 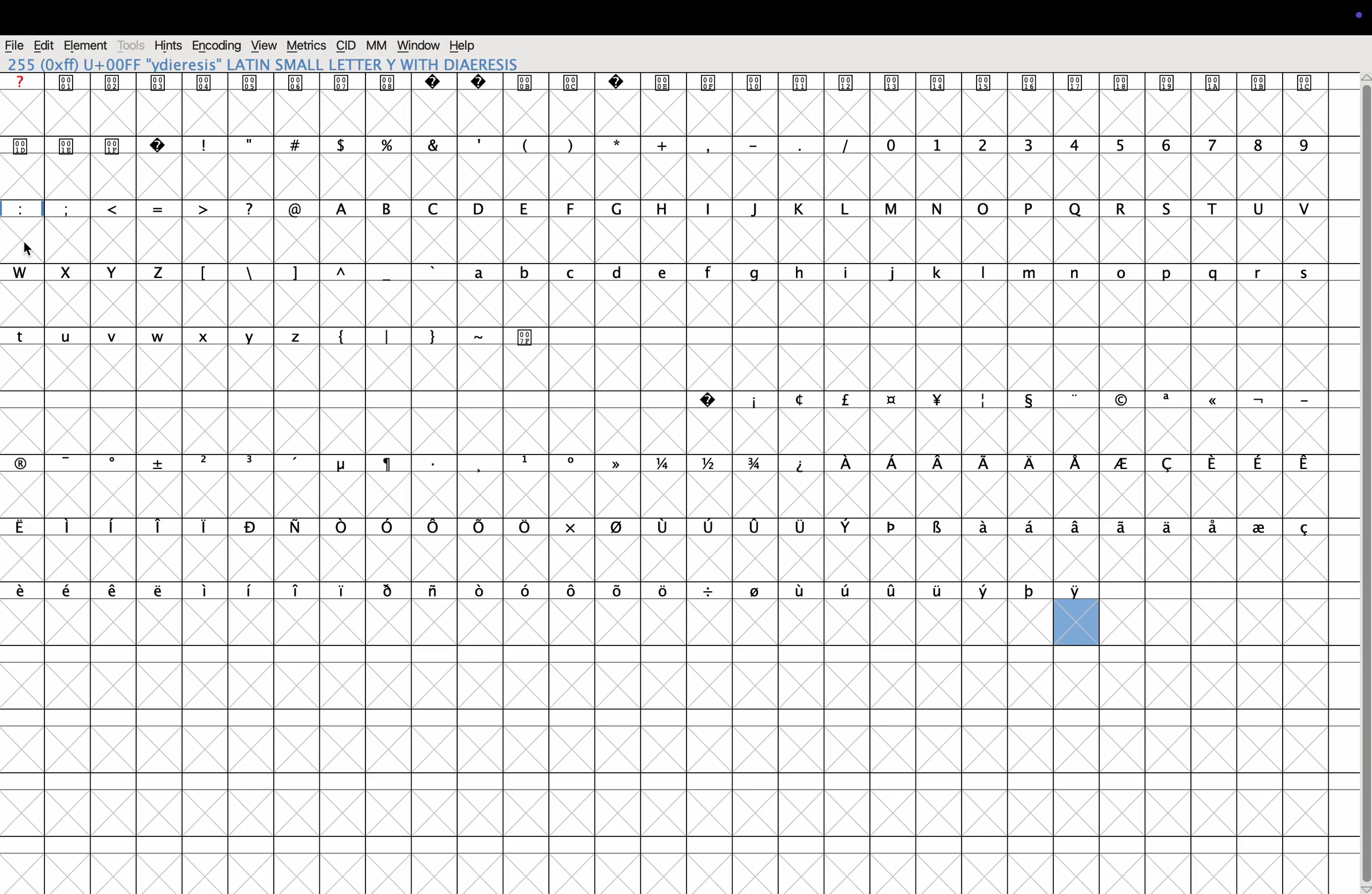 What do you see at coordinates (478, 231) in the screenshot?
I see `D` at bounding box center [478, 231].